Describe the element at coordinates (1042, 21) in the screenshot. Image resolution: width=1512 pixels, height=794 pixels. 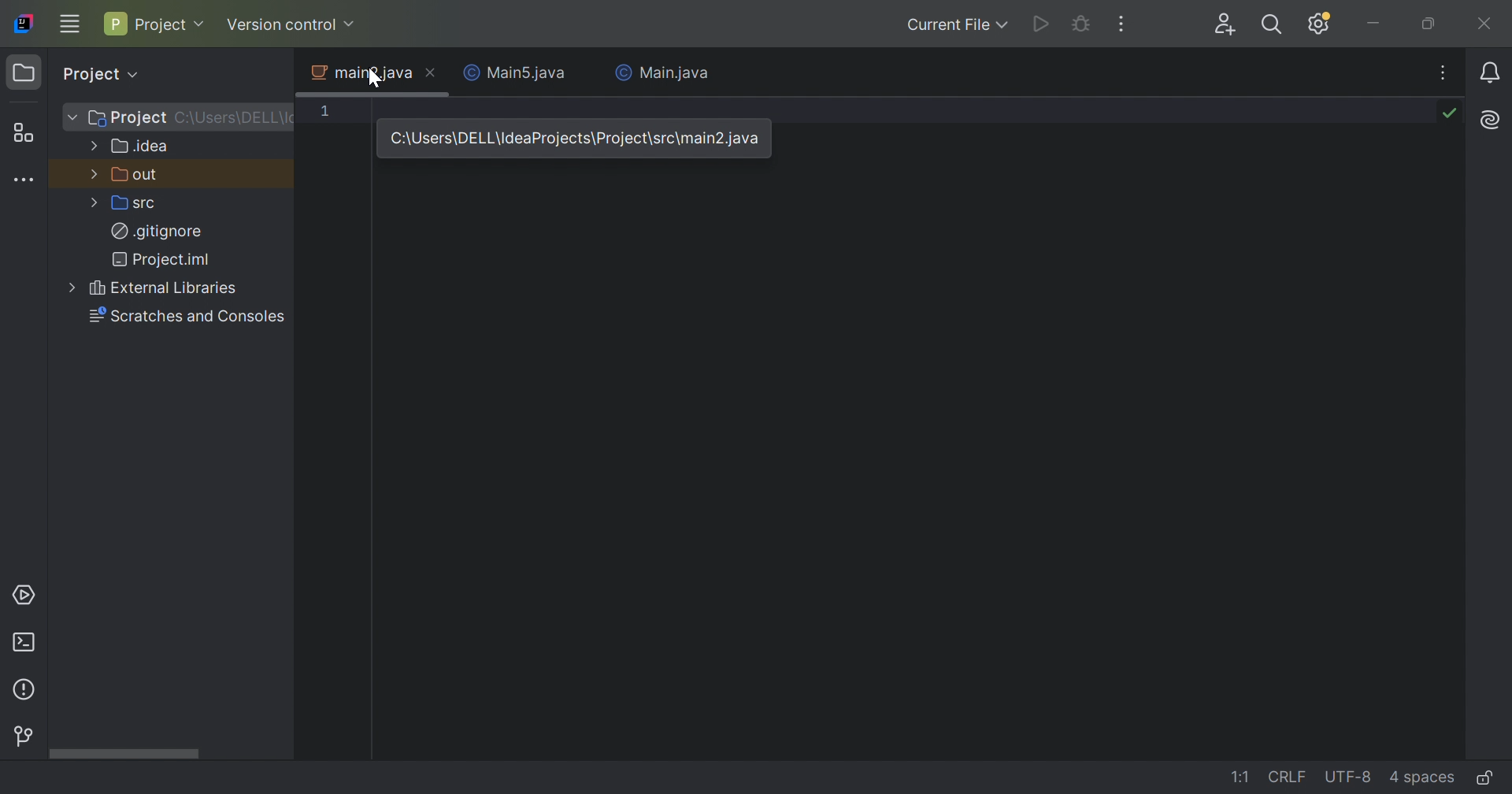
I see `Run` at that location.